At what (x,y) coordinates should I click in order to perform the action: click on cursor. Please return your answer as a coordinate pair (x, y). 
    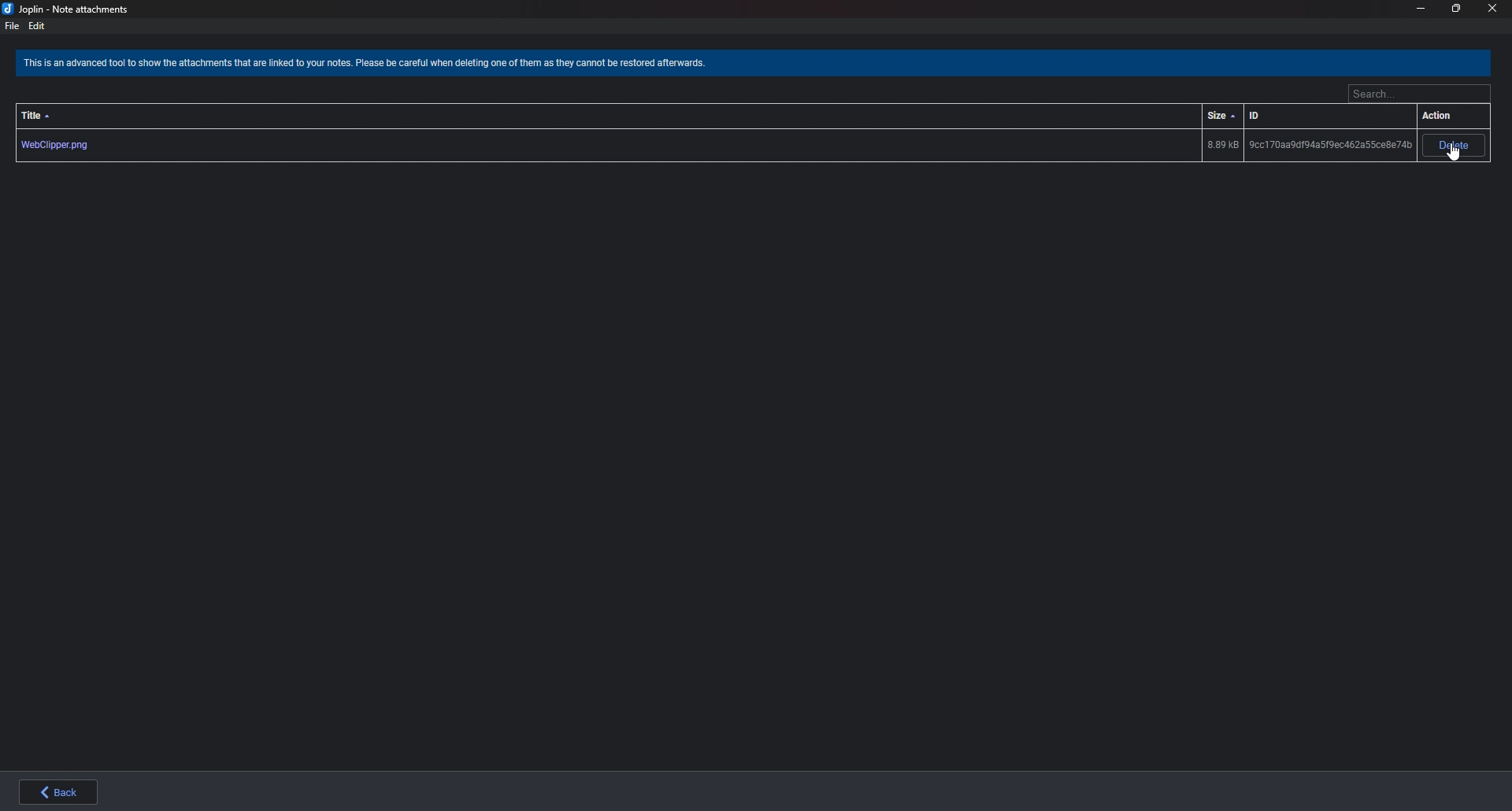
    Looking at the image, I should click on (1453, 155).